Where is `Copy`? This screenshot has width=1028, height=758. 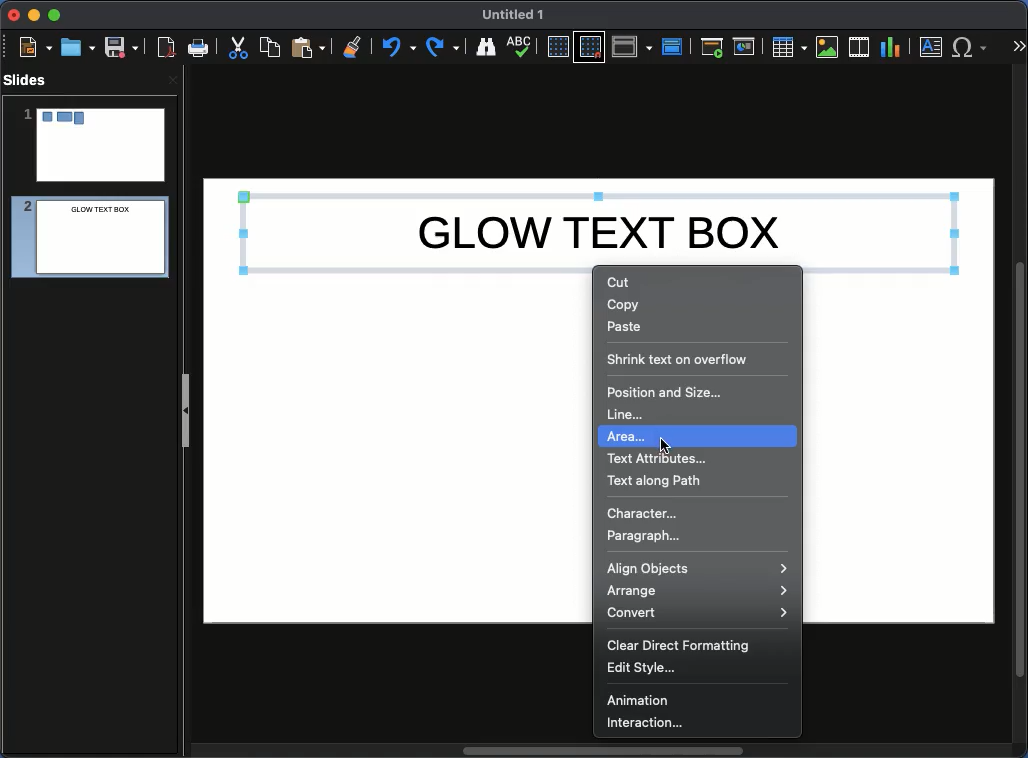
Copy is located at coordinates (626, 306).